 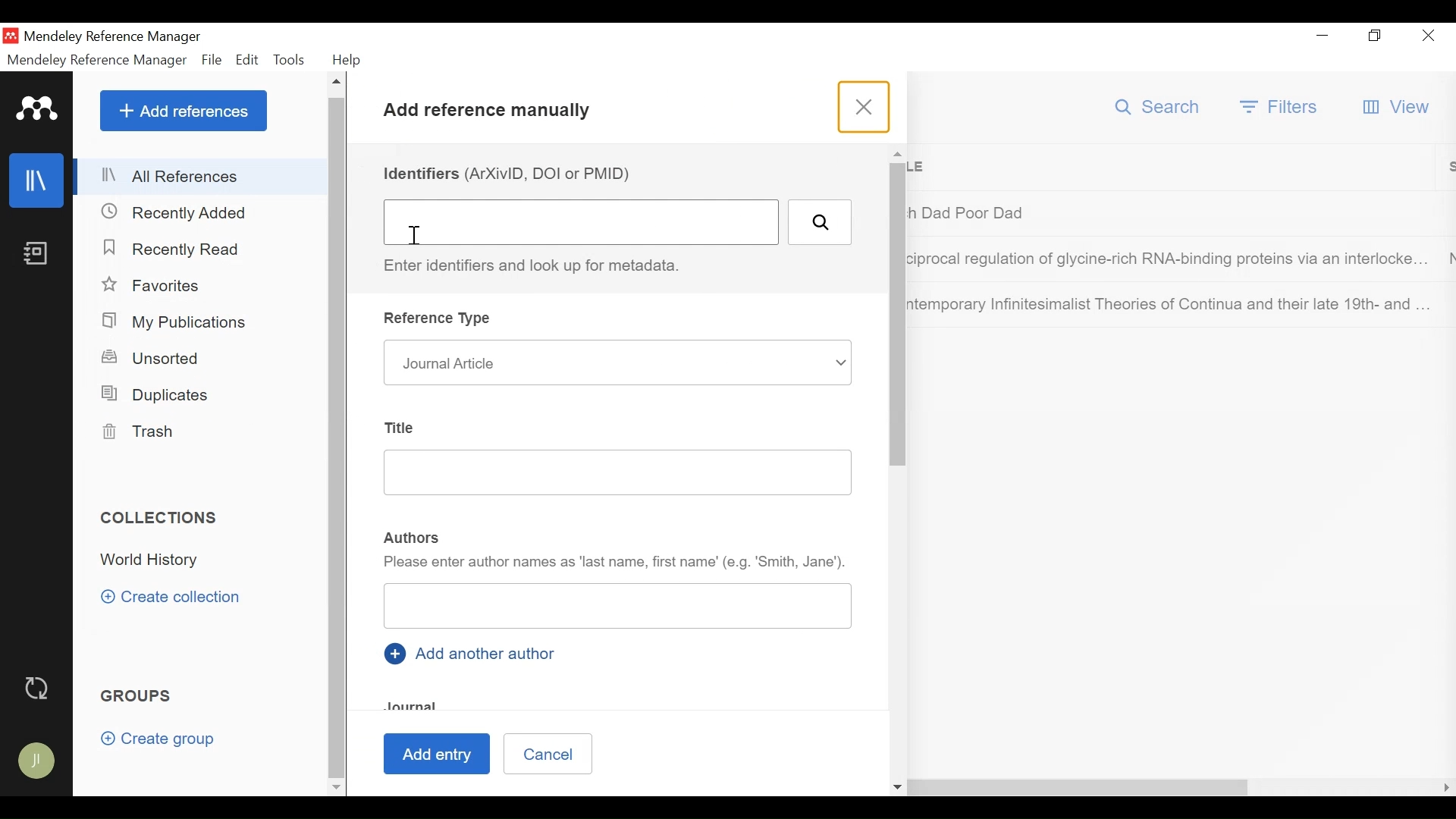 I want to click on Scroll Right, so click(x=360, y=786).